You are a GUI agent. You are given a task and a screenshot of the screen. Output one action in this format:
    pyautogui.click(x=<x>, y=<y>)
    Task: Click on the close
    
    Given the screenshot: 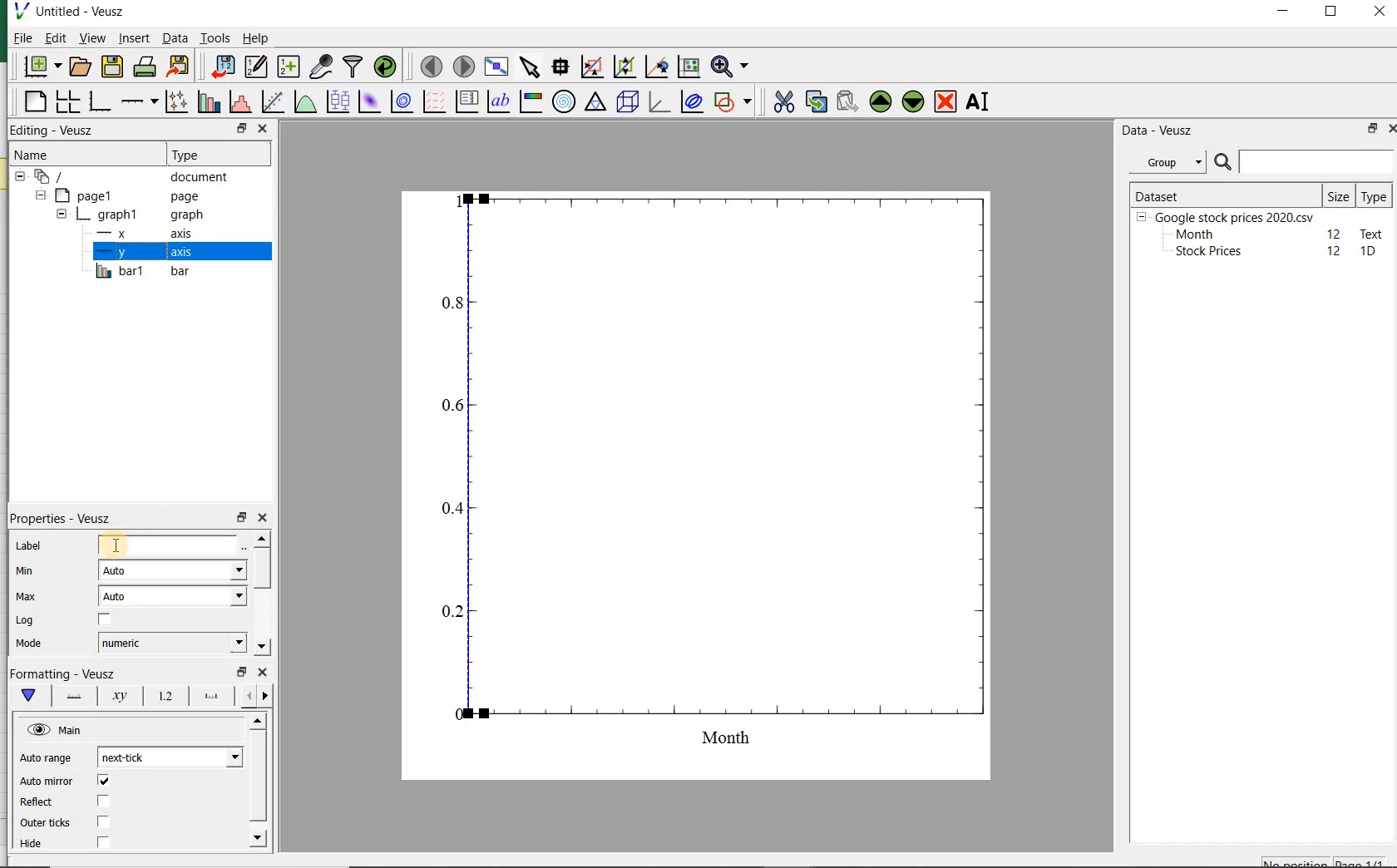 What is the action you would take?
    pyautogui.click(x=1380, y=12)
    